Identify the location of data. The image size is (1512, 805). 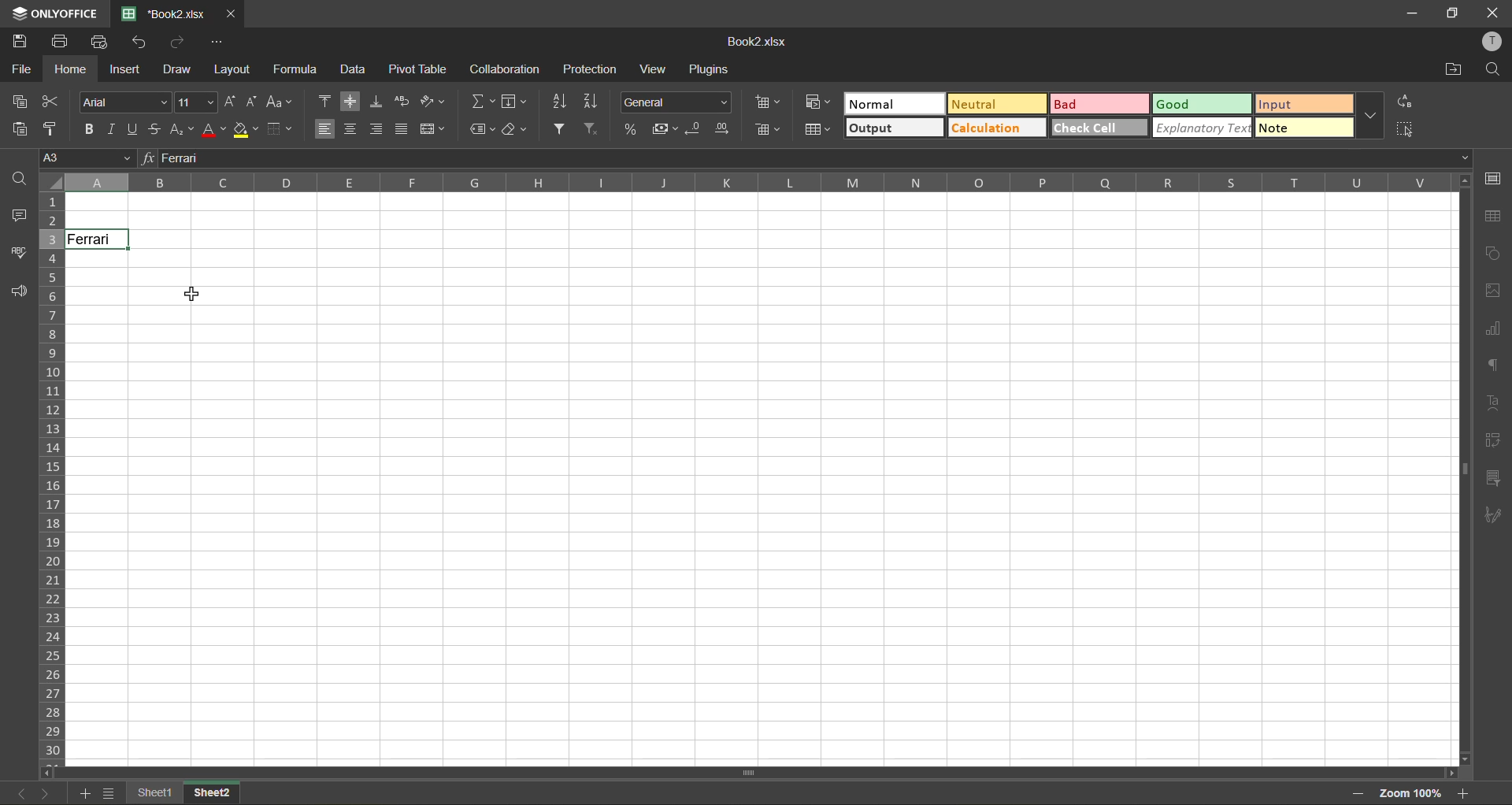
(356, 69).